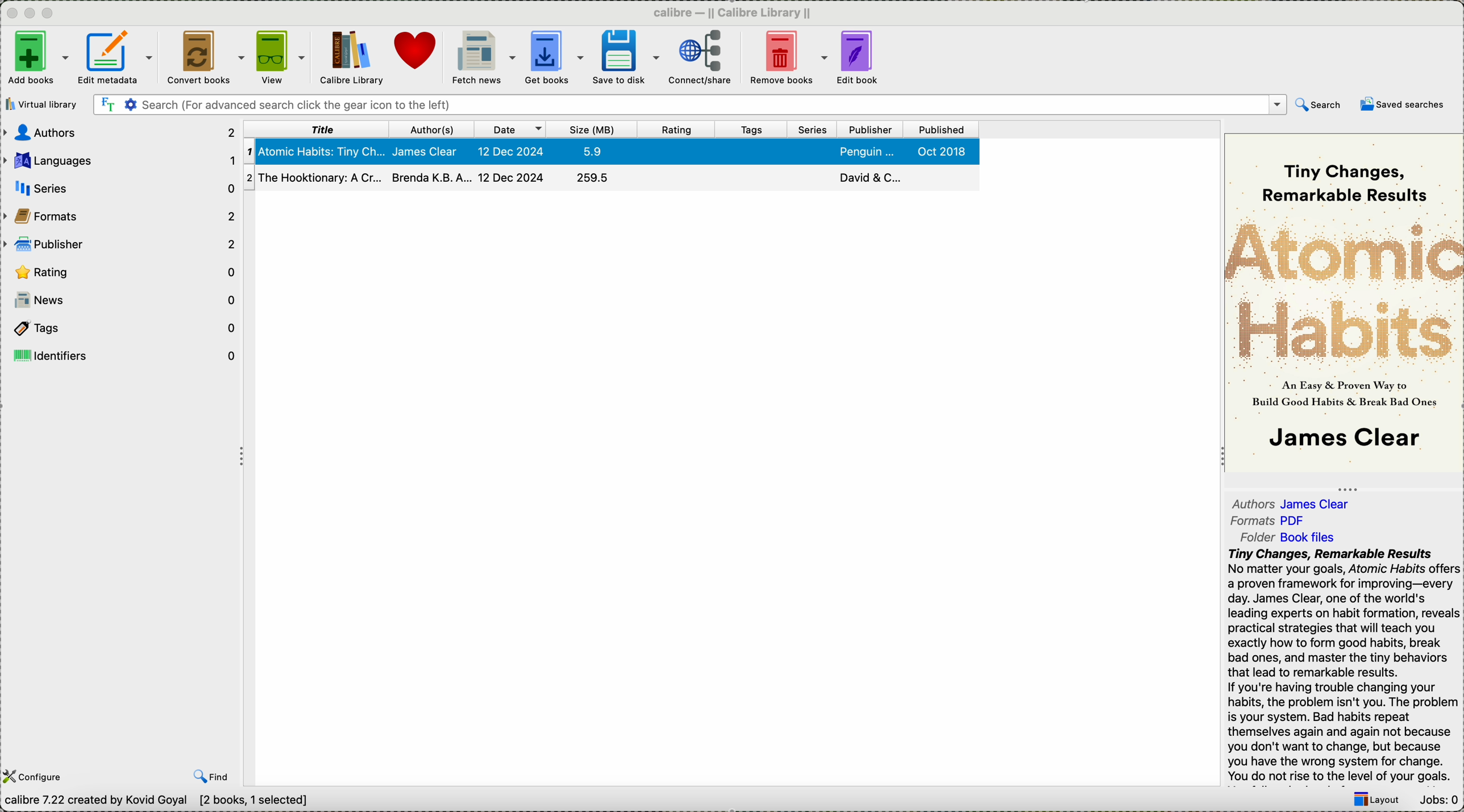  I want to click on date, so click(509, 128).